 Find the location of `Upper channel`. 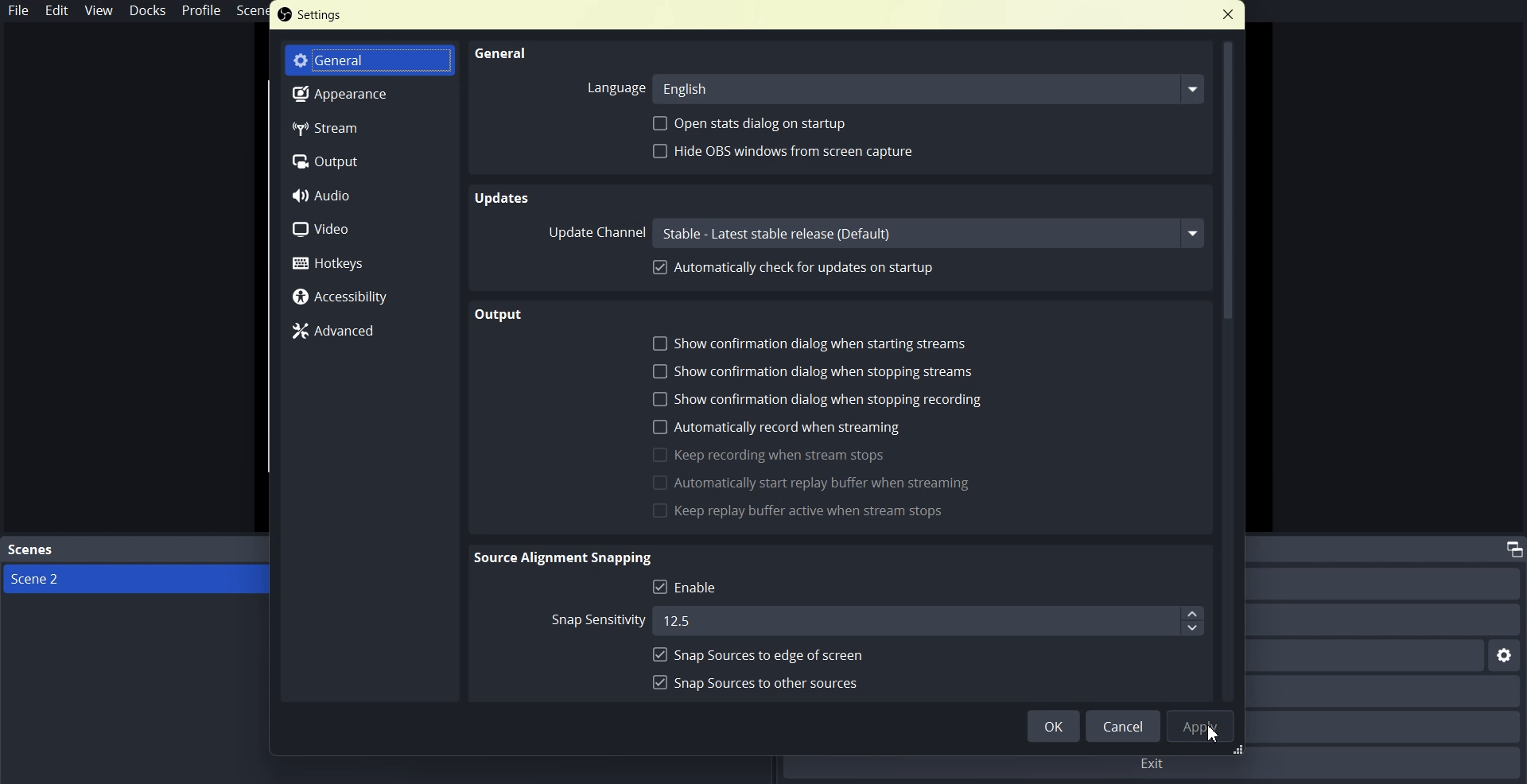

Upper channel is located at coordinates (599, 235).